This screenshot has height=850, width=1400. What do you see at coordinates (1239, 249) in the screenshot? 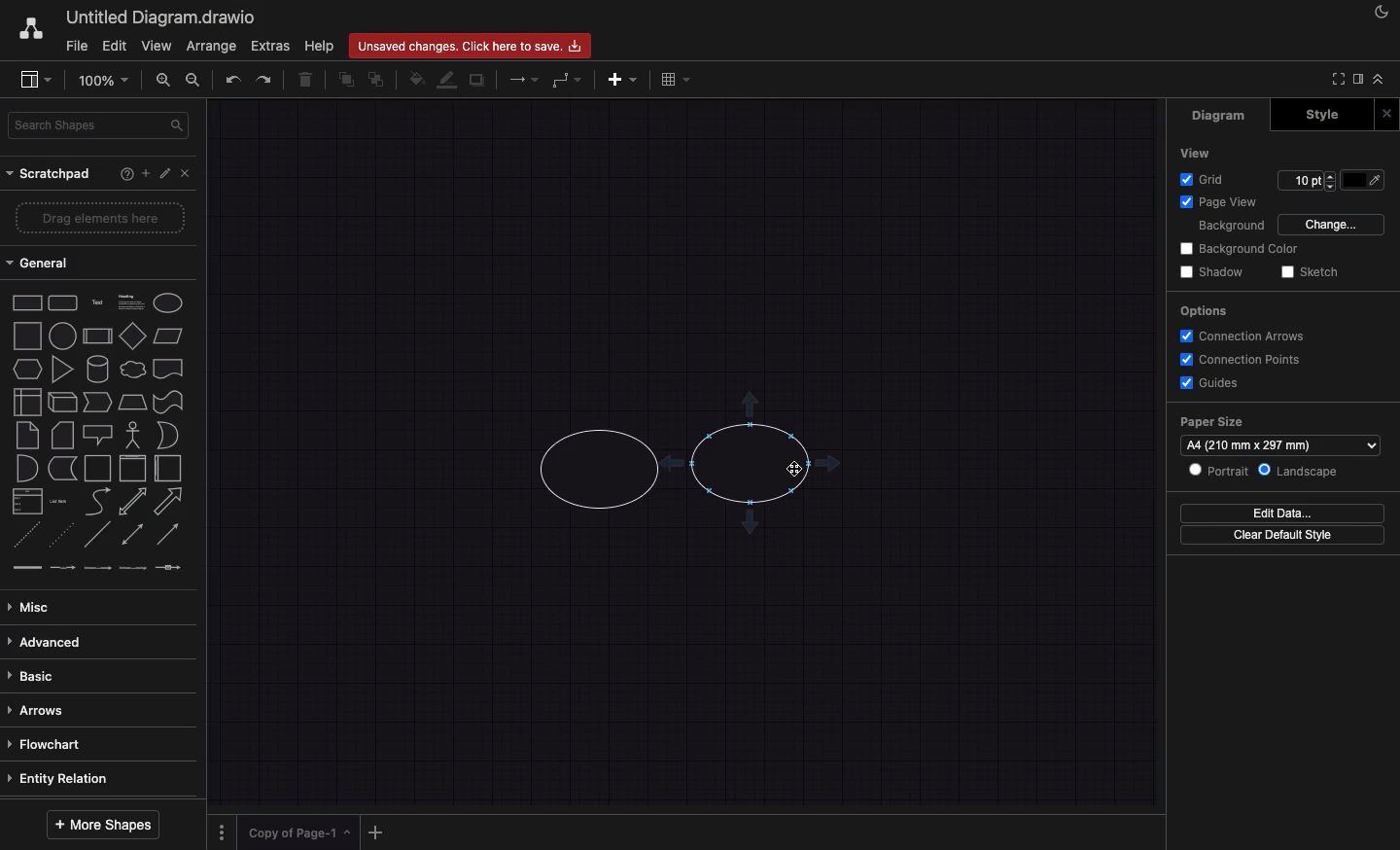
I see `background color` at bounding box center [1239, 249].